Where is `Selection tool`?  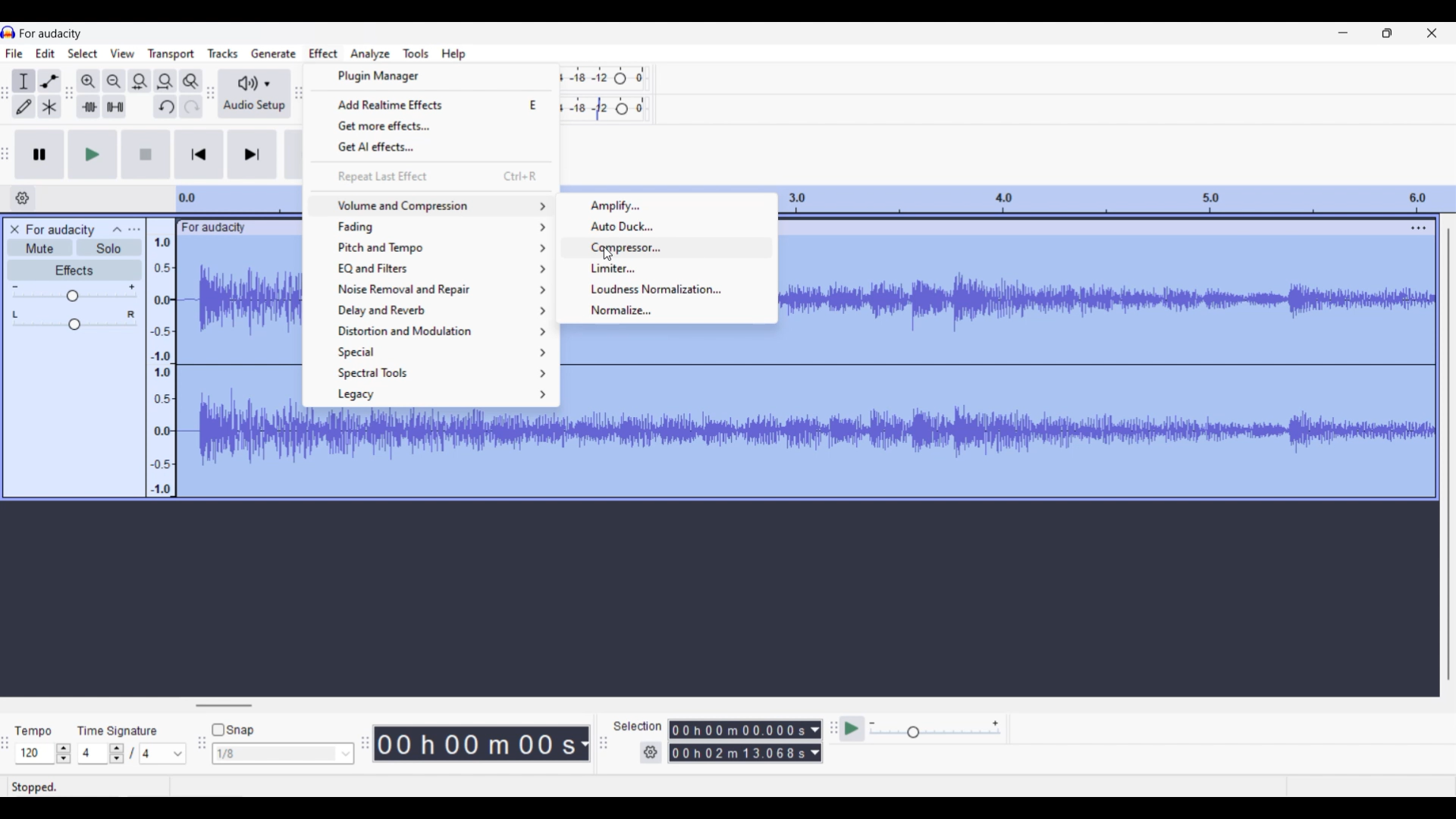
Selection tool is located at coordinates (24, 81).